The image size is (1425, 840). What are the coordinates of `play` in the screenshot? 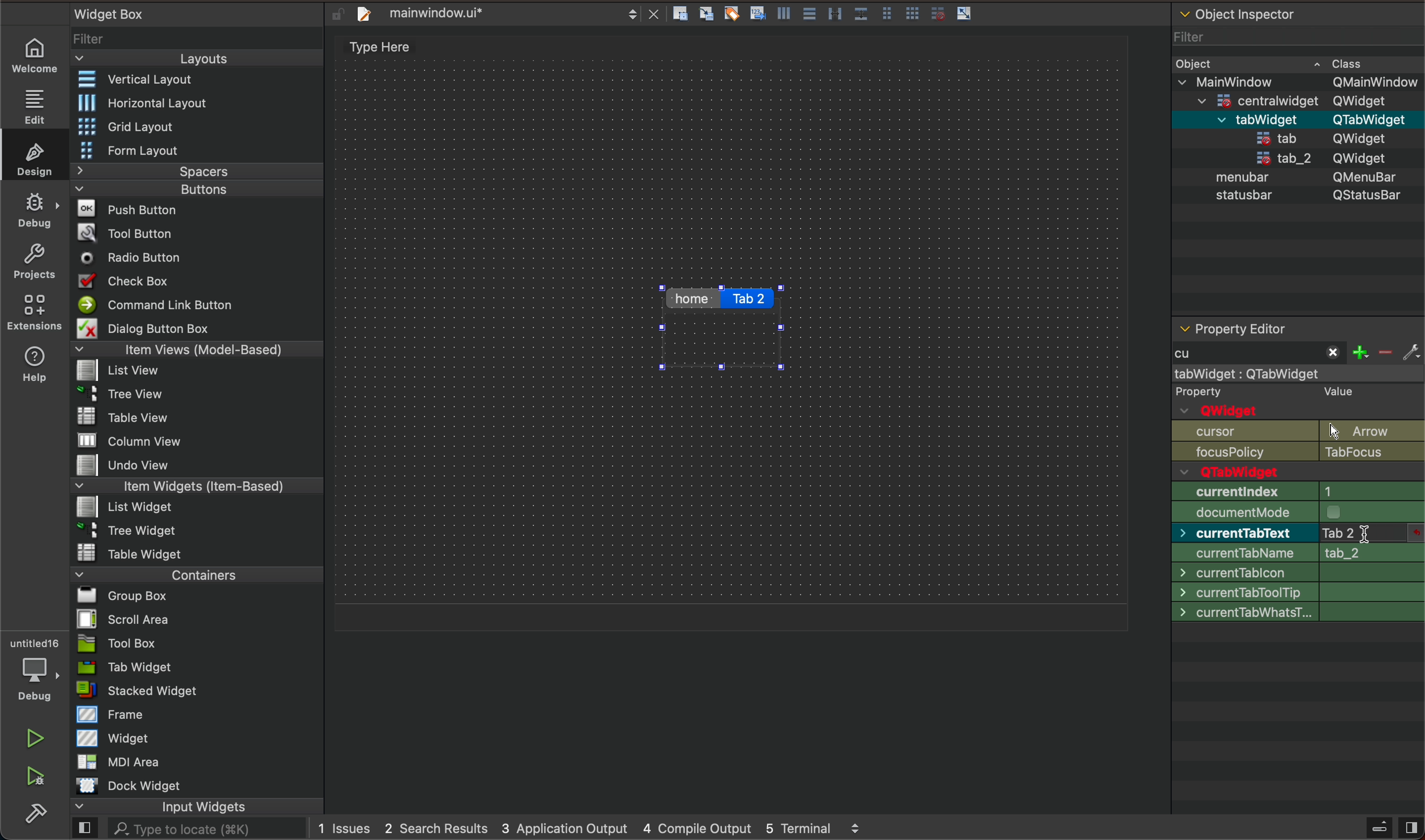 It's located at (35, 740).